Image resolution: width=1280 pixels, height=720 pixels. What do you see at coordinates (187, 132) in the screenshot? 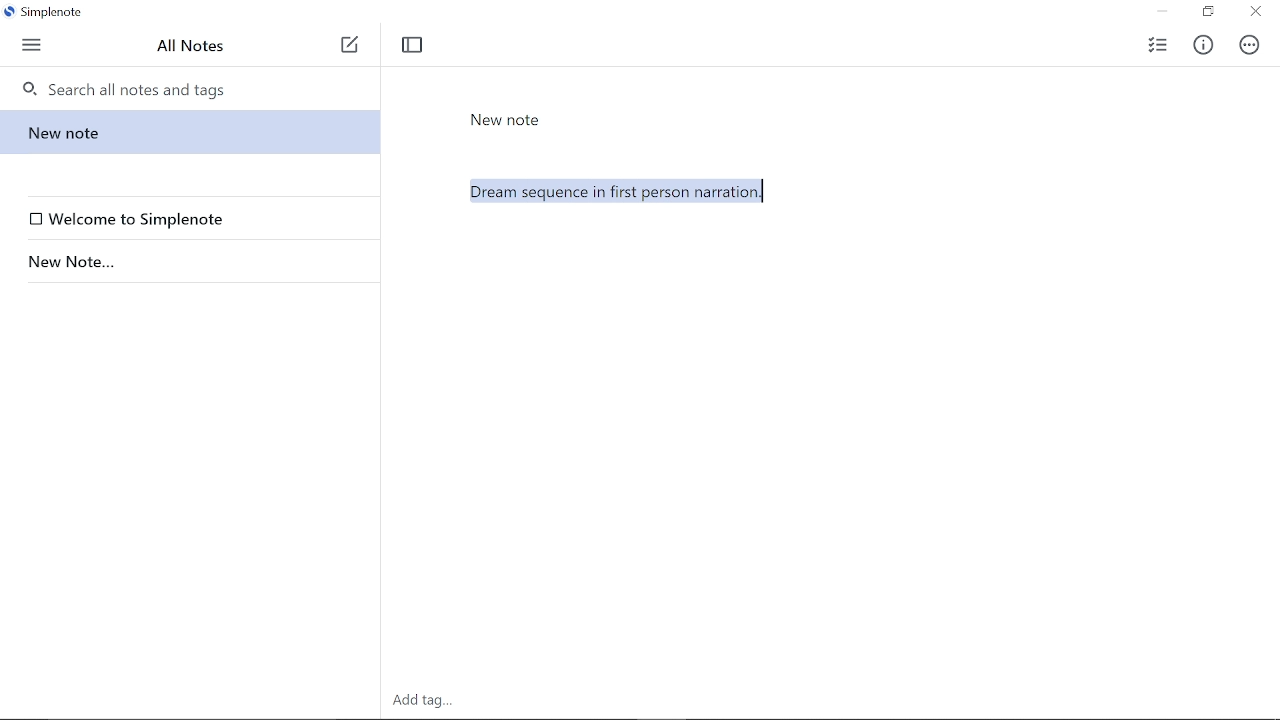
I see `New note` at bounding box center [187, 132].